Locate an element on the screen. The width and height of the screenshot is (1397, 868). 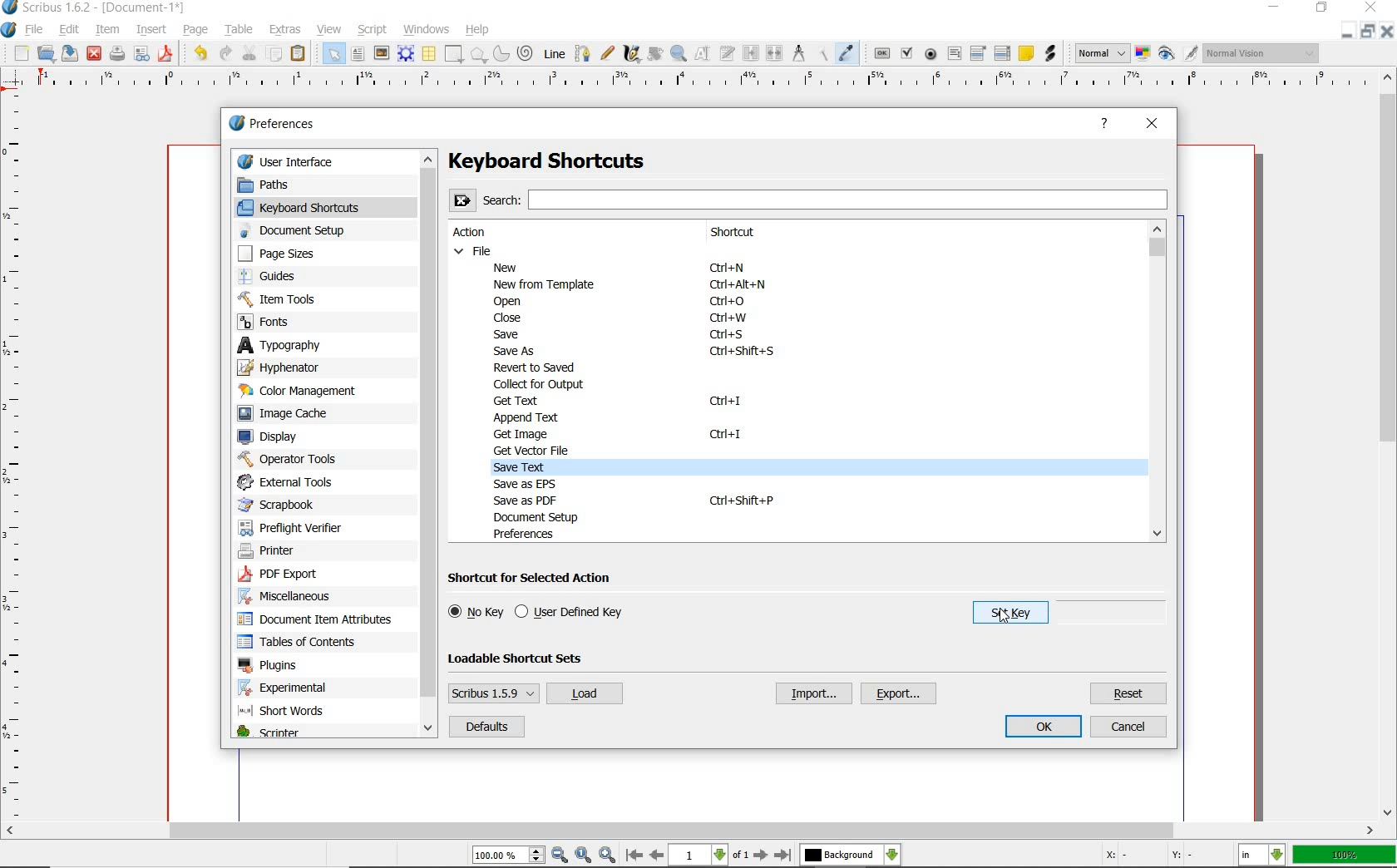
load is located at coordinates (584, 694).